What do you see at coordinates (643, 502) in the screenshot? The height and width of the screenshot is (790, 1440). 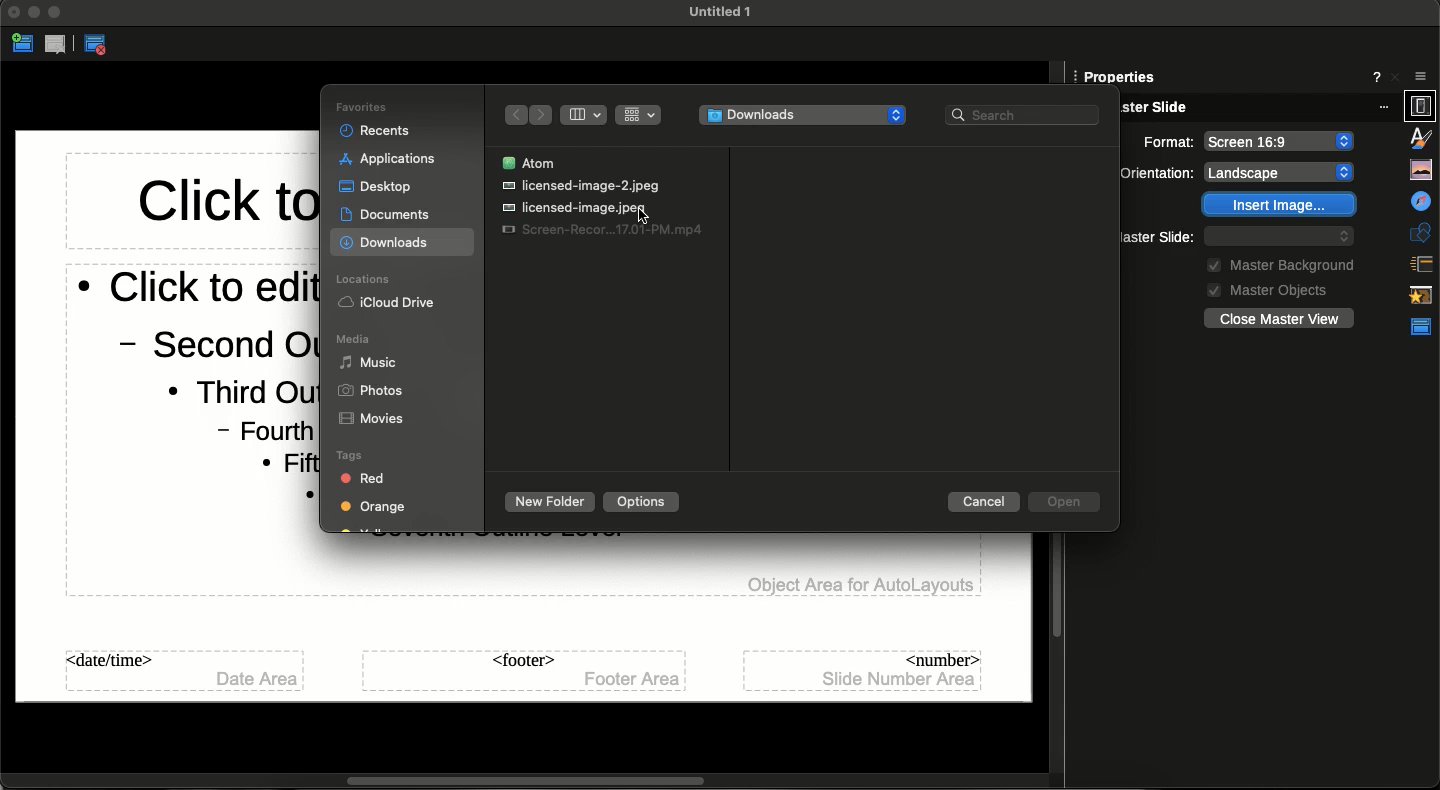 I see `Options` at bounding box center [643, 502].